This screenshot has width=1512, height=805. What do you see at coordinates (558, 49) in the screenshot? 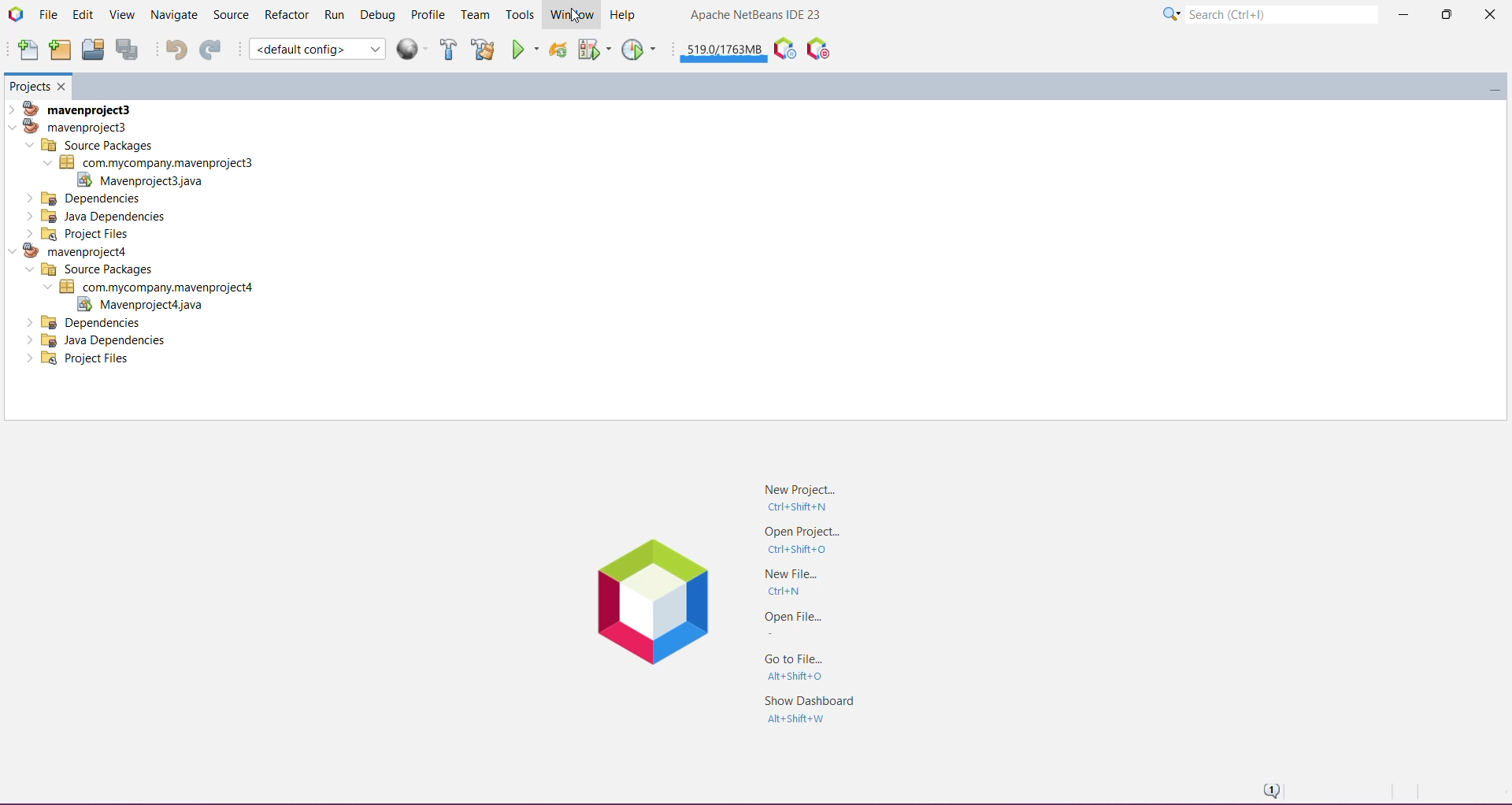
I see `Reload` at bounding box center [558, 49].